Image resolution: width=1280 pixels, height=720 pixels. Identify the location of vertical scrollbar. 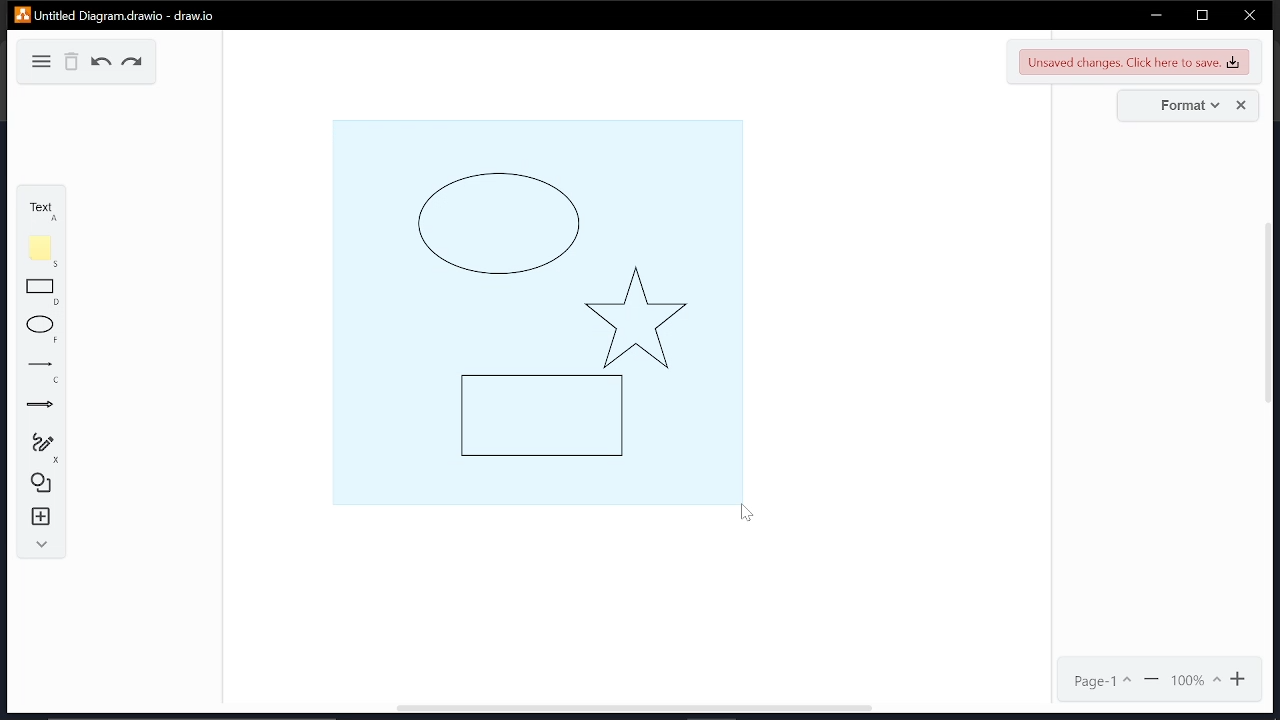
(1272, 314).